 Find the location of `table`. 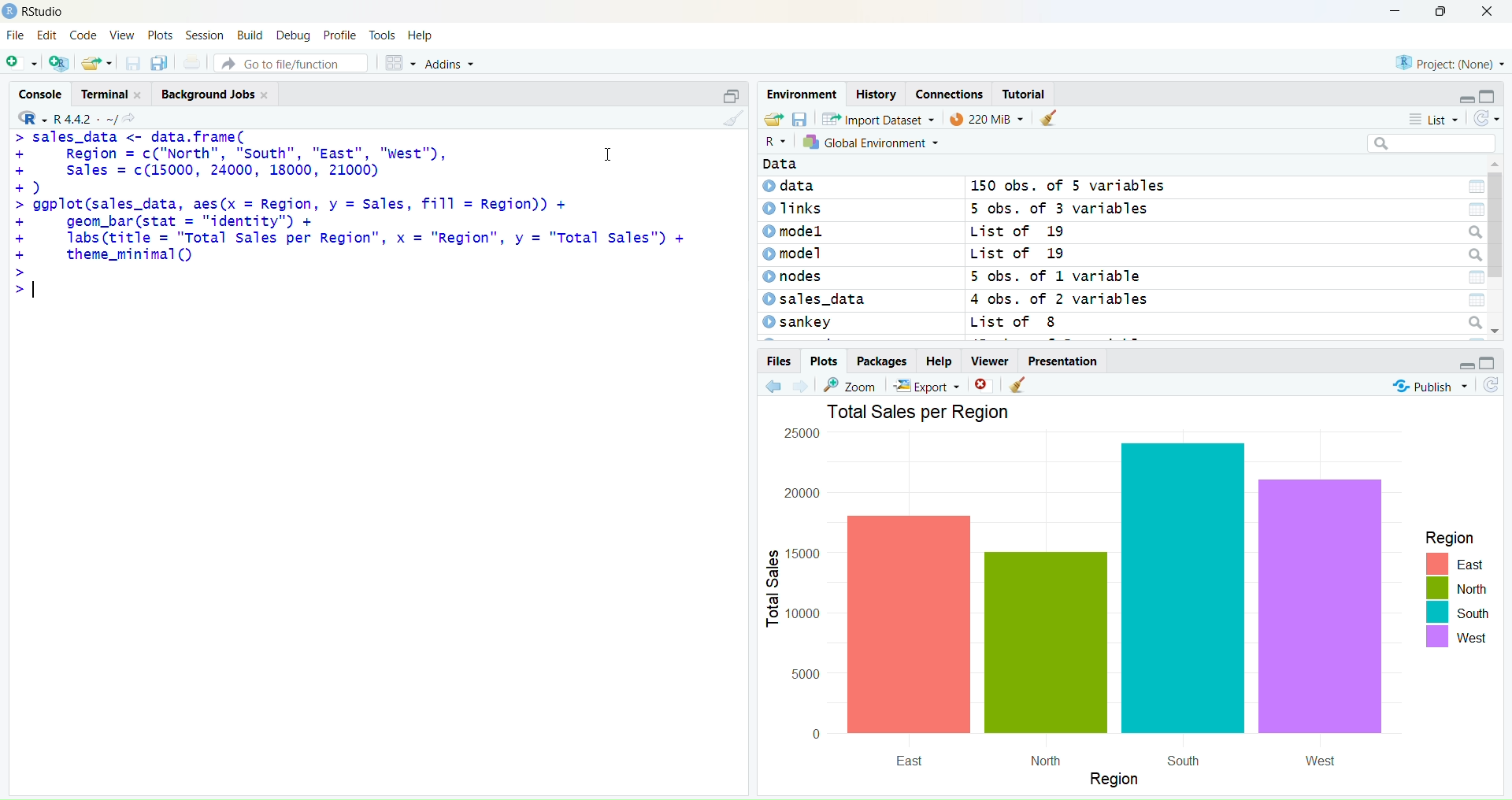

table is located at coordinates (1464, 298).